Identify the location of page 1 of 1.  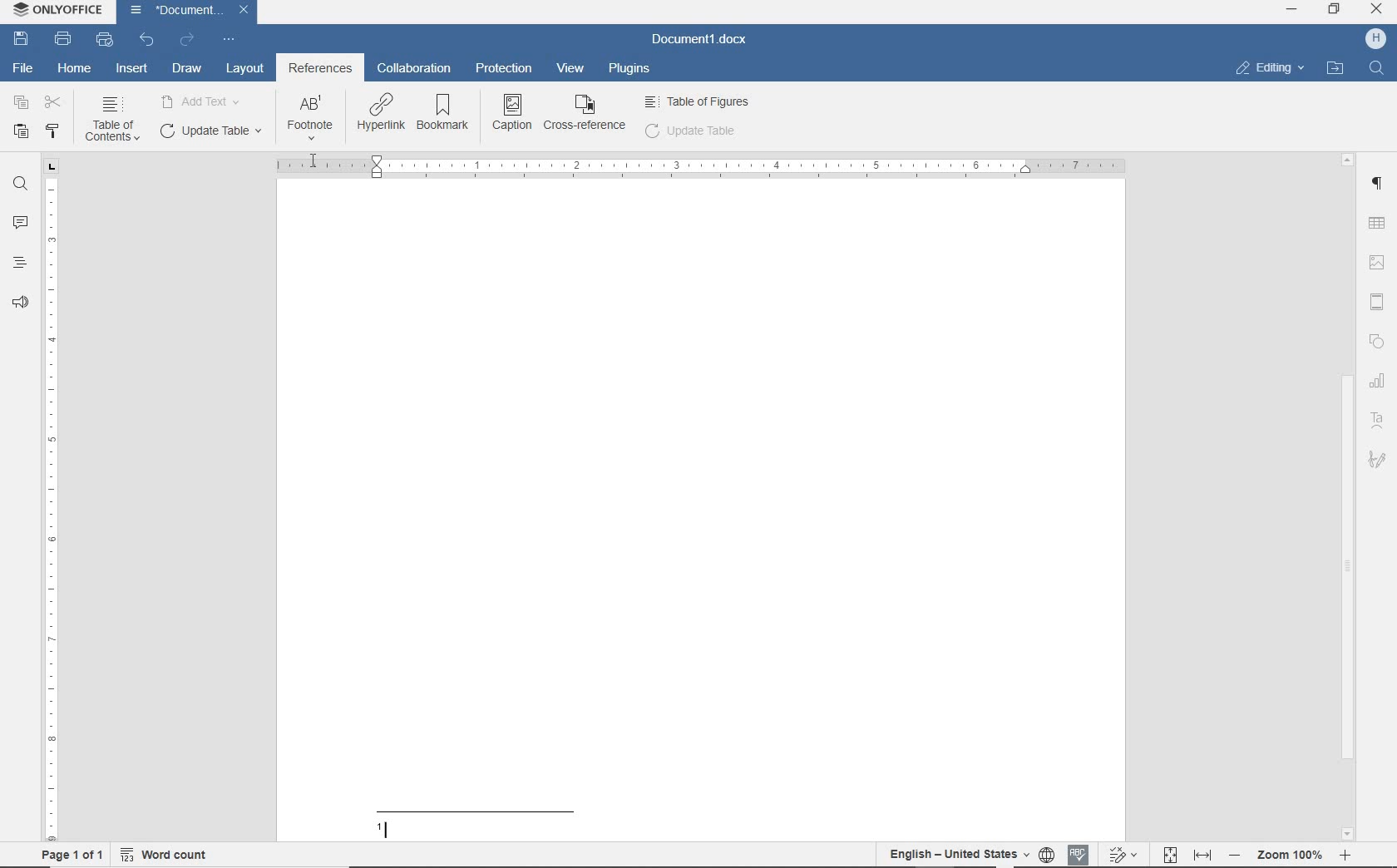
(78, 857).